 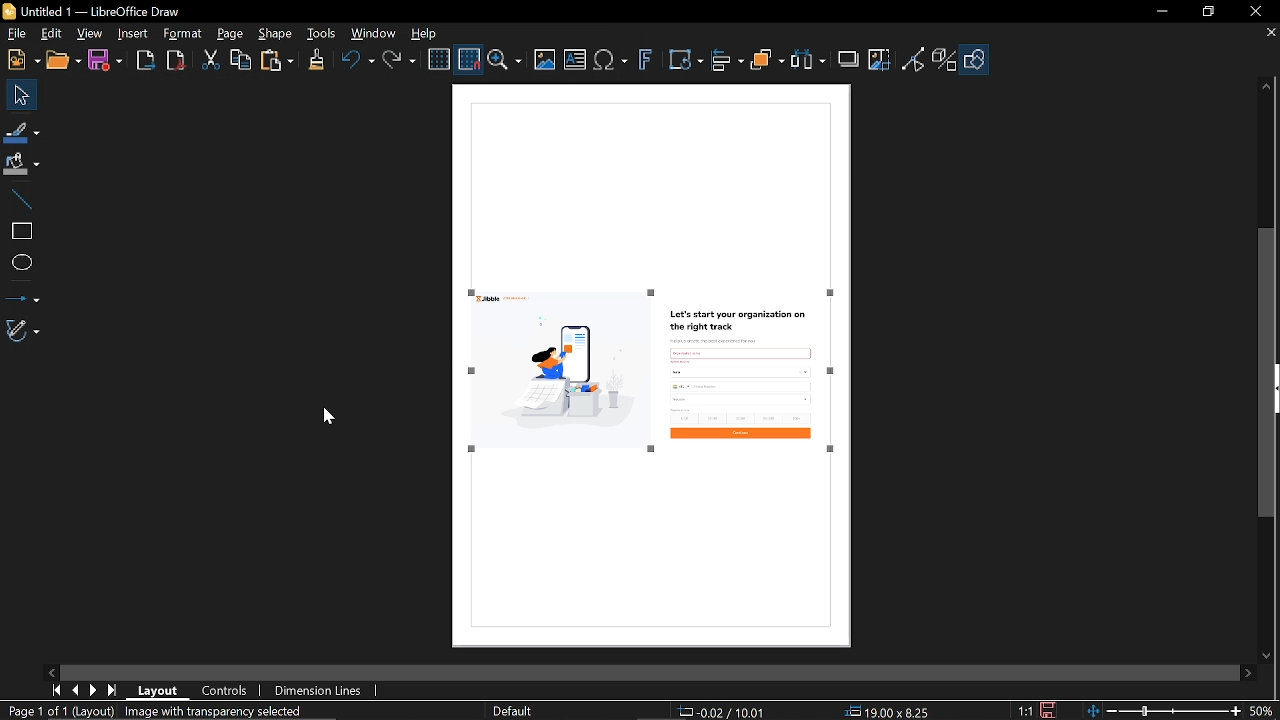 I want to click on Close tab, so click(x=1264, y=34).